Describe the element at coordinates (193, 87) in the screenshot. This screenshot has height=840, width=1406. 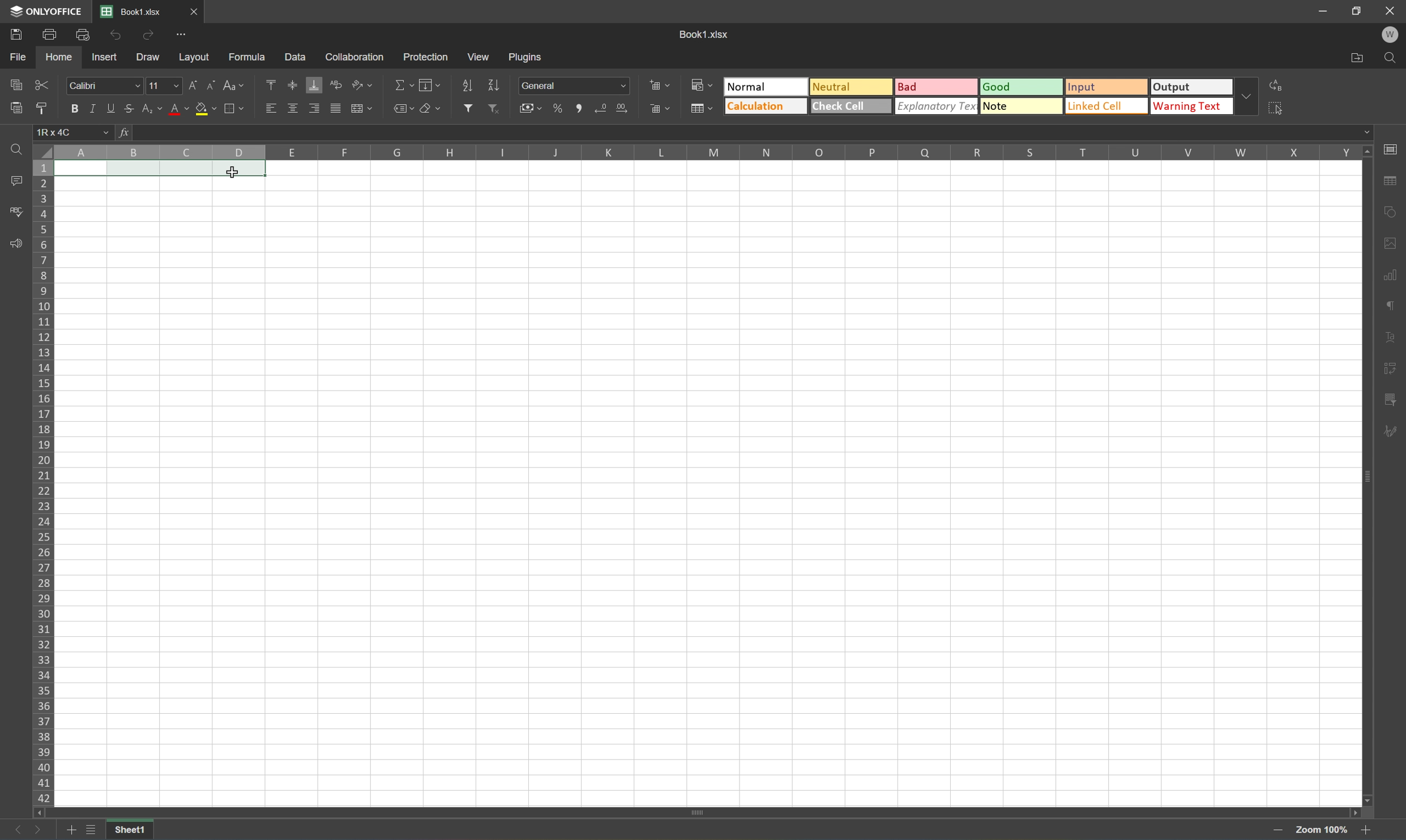
I see `Increment font size` at that location.